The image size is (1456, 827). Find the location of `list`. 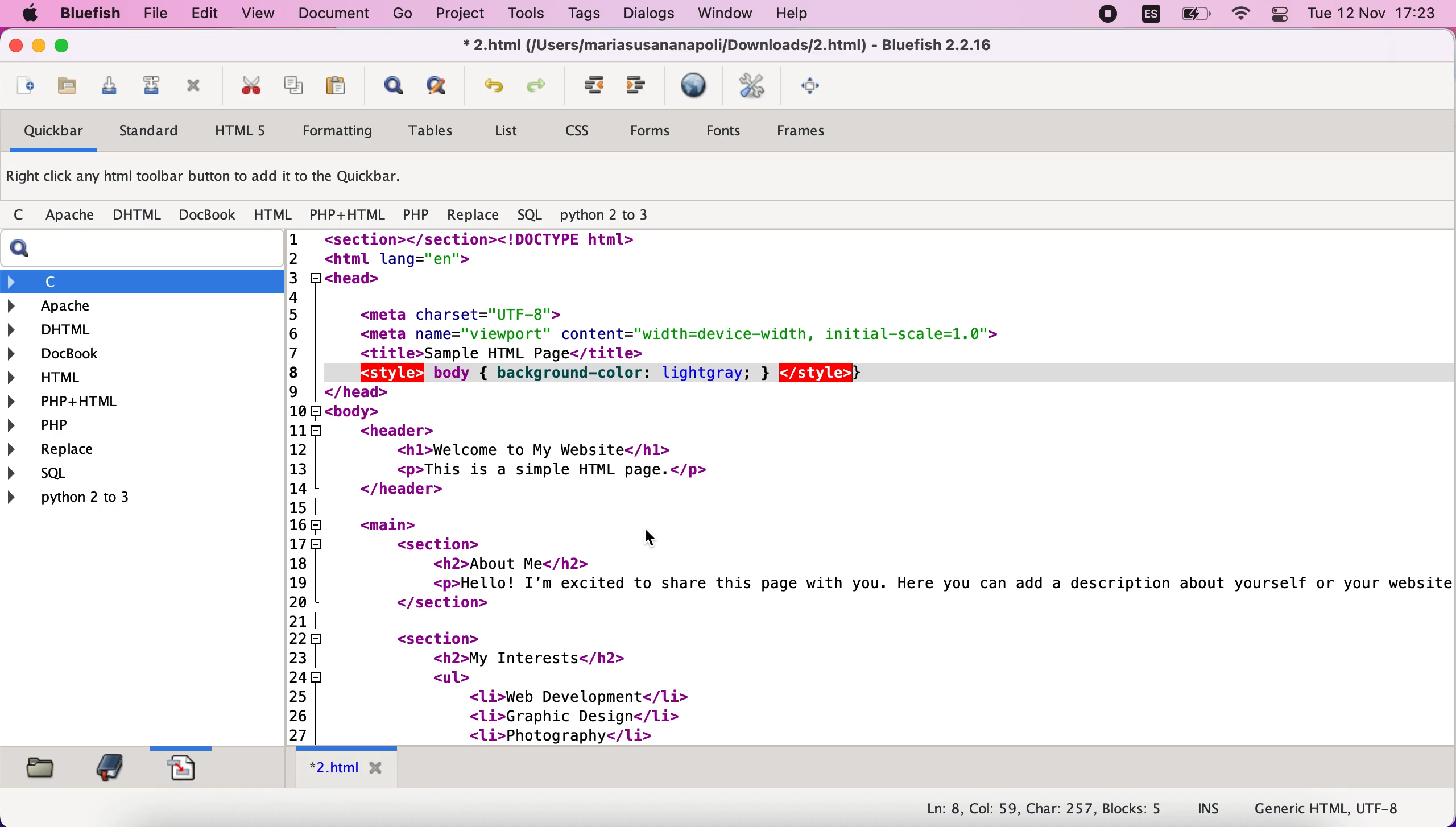

list is located at coordinates (508, 133).